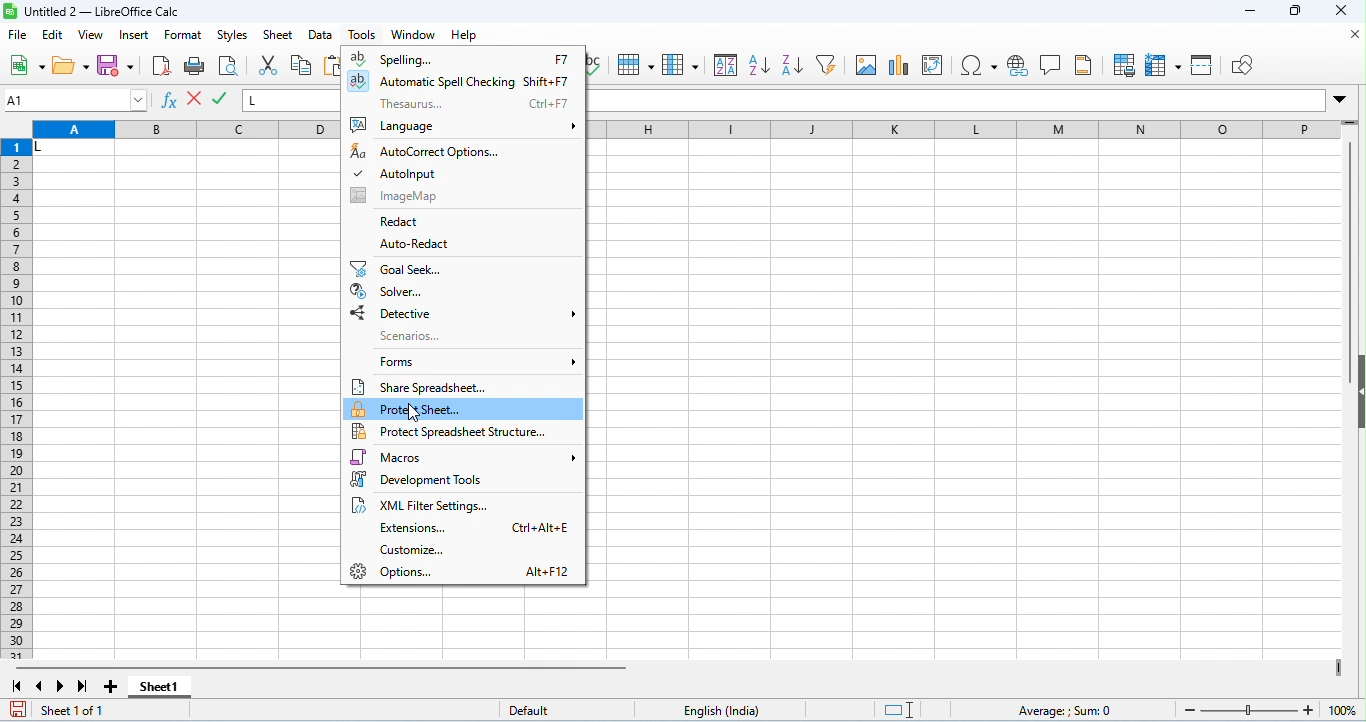 This screenshot has height=722, width=1366. Describe the element at coordinates (900, 67) in the screenshot. I see `insert chart` at that location.